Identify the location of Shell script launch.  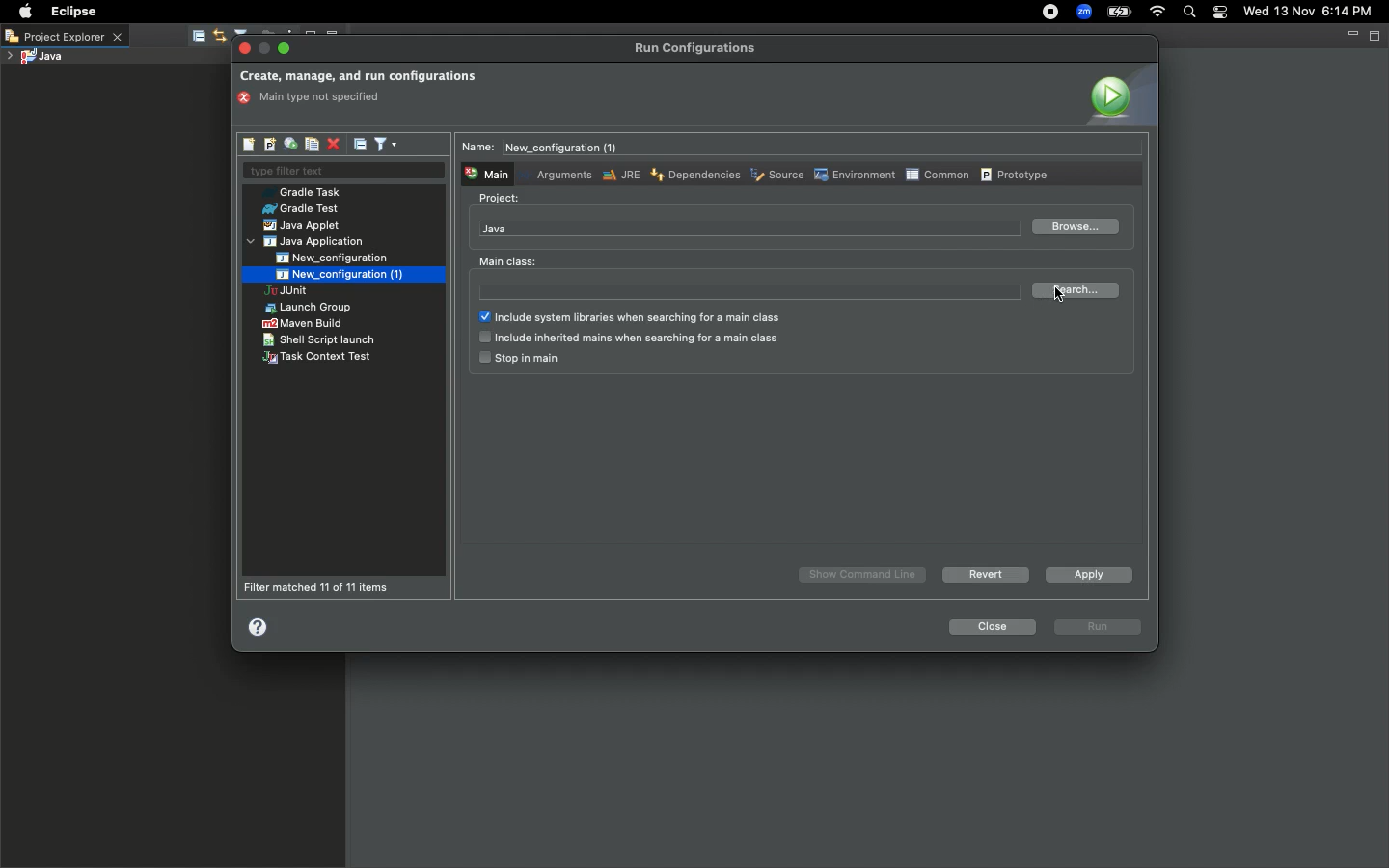
(320, 339).